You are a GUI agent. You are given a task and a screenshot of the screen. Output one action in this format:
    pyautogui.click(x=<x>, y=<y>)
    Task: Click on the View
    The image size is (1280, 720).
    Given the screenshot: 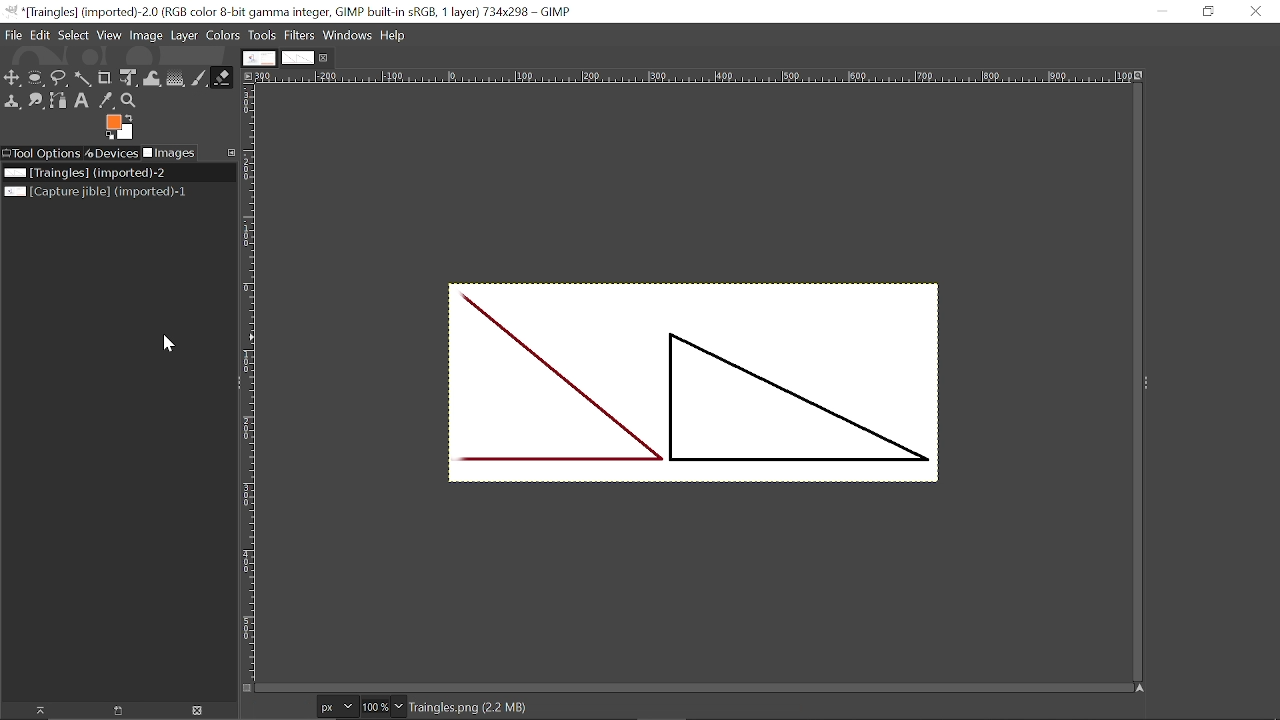 What is the action you would take?
    pyautogui.click(x=108, y=35)
    